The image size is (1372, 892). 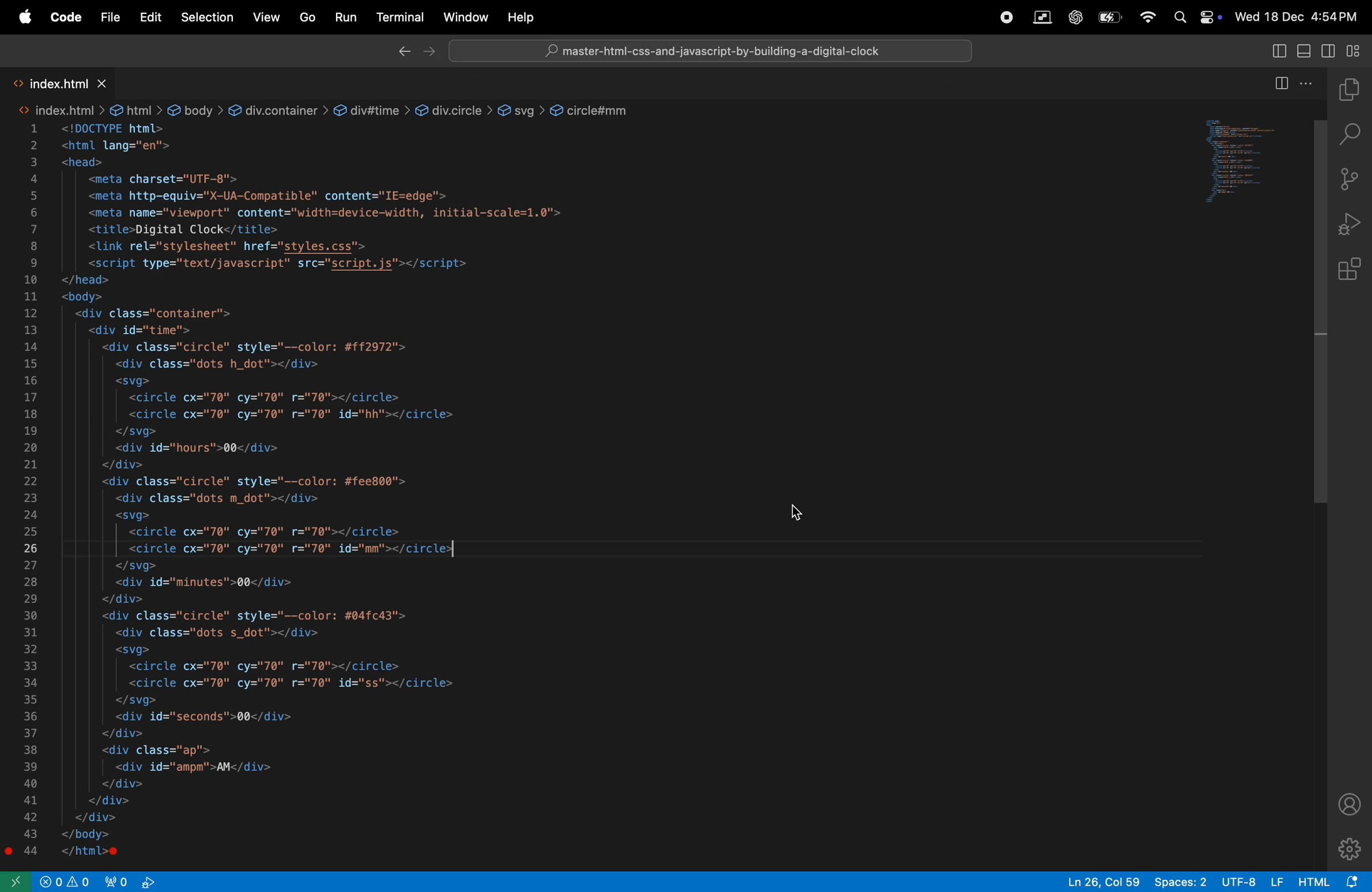 I want to click on search, so click(x=1352, y=137).